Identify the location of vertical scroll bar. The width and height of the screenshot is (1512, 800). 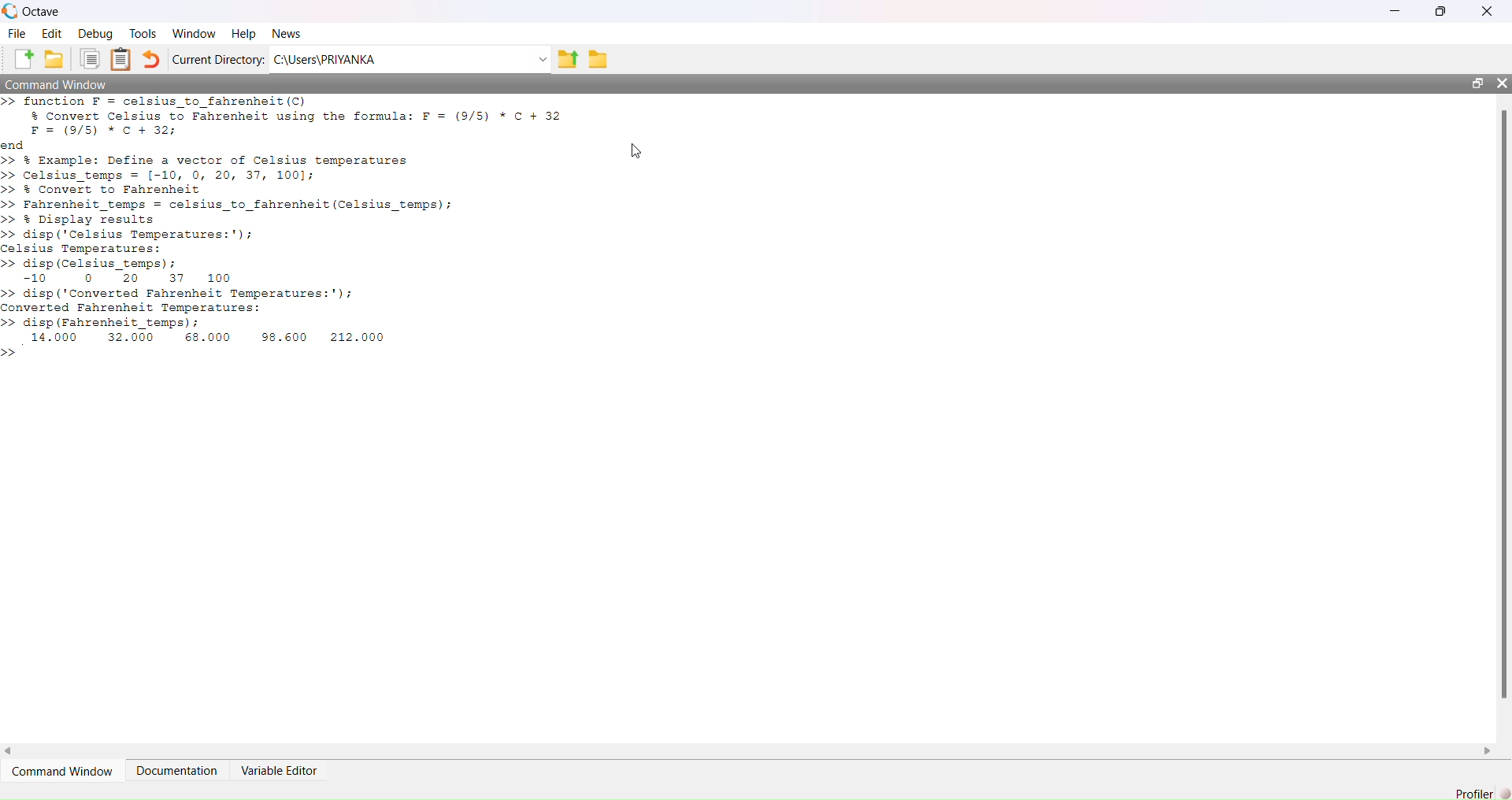
(1504, 417).